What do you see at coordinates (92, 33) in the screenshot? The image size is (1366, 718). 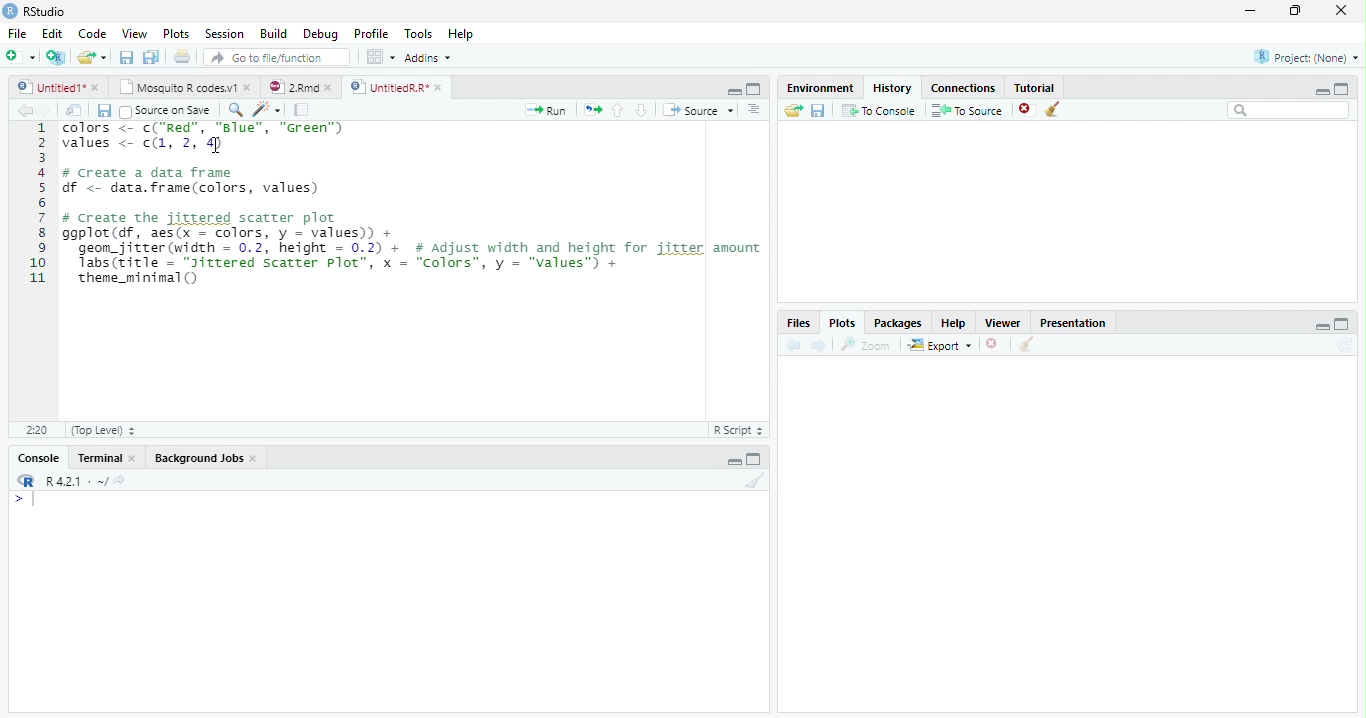 I see `Code` at bounding box center [92, 33].